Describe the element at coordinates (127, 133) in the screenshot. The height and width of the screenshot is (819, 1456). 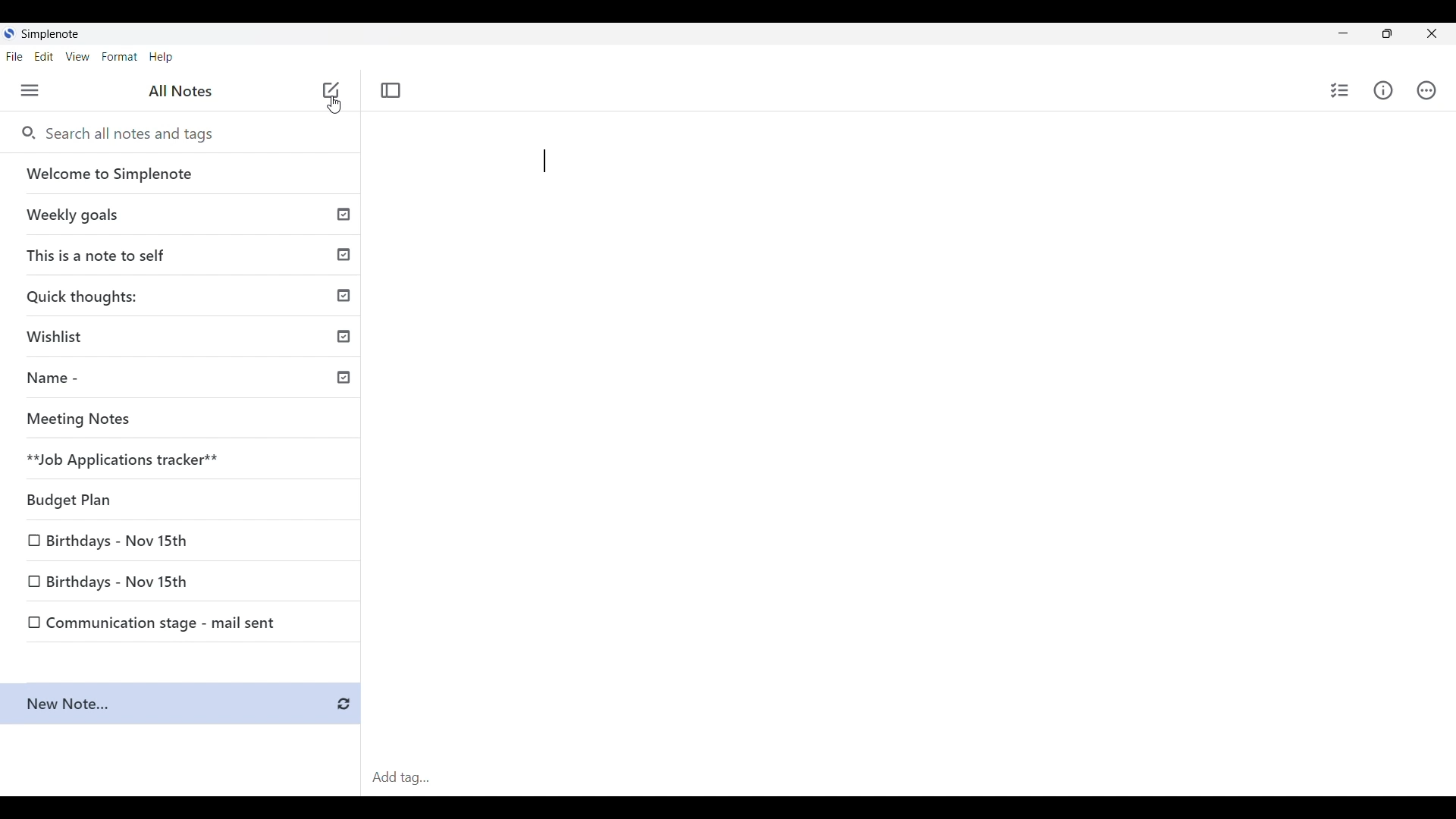
I see `Search all notes and tags` at that location.